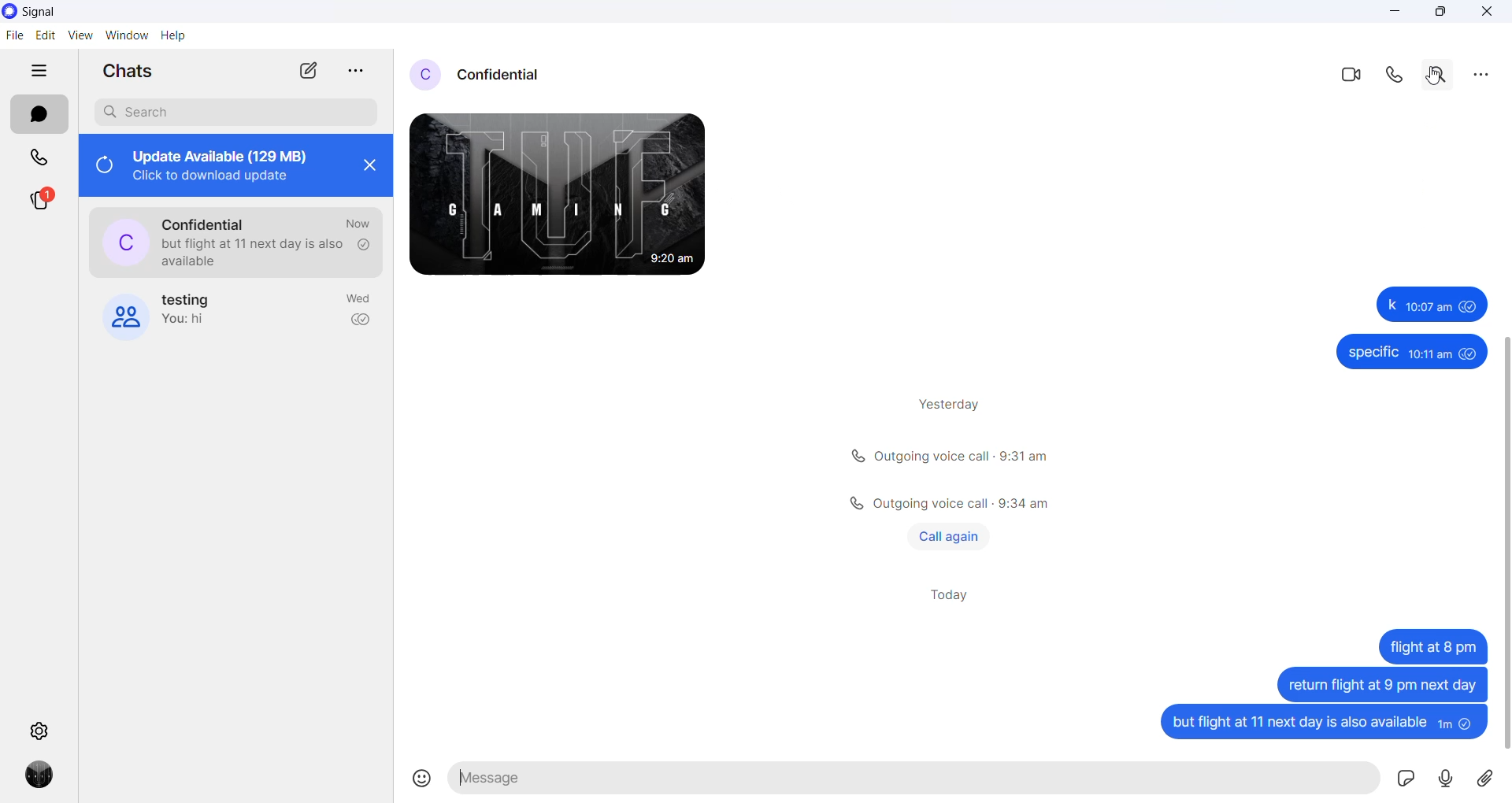 The height and width of the screenshot is (803, 1512). I want to click on profile pictures, so click(126, 241).